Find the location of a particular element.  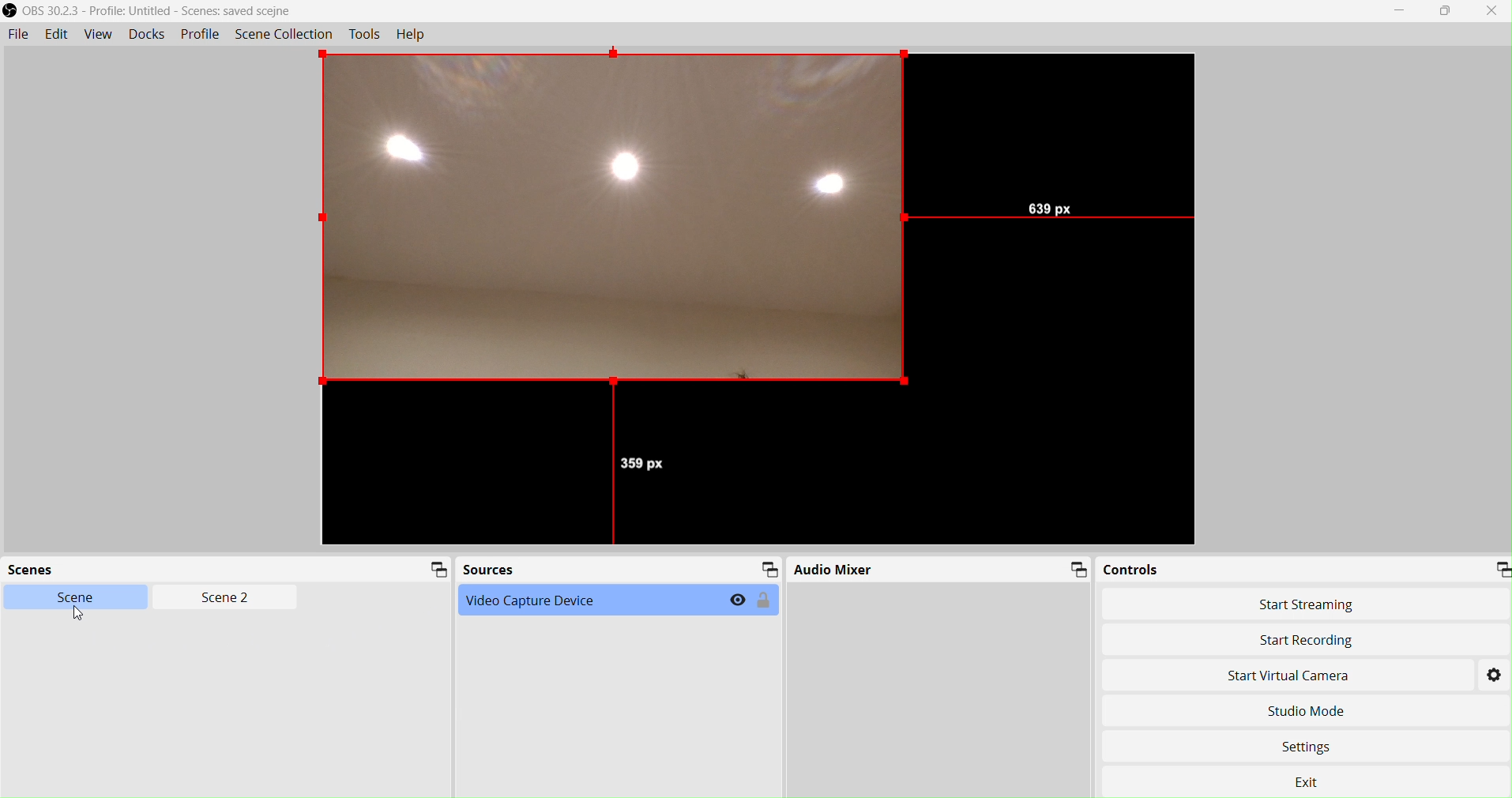

639 px is located at coordinates (1049, 210).